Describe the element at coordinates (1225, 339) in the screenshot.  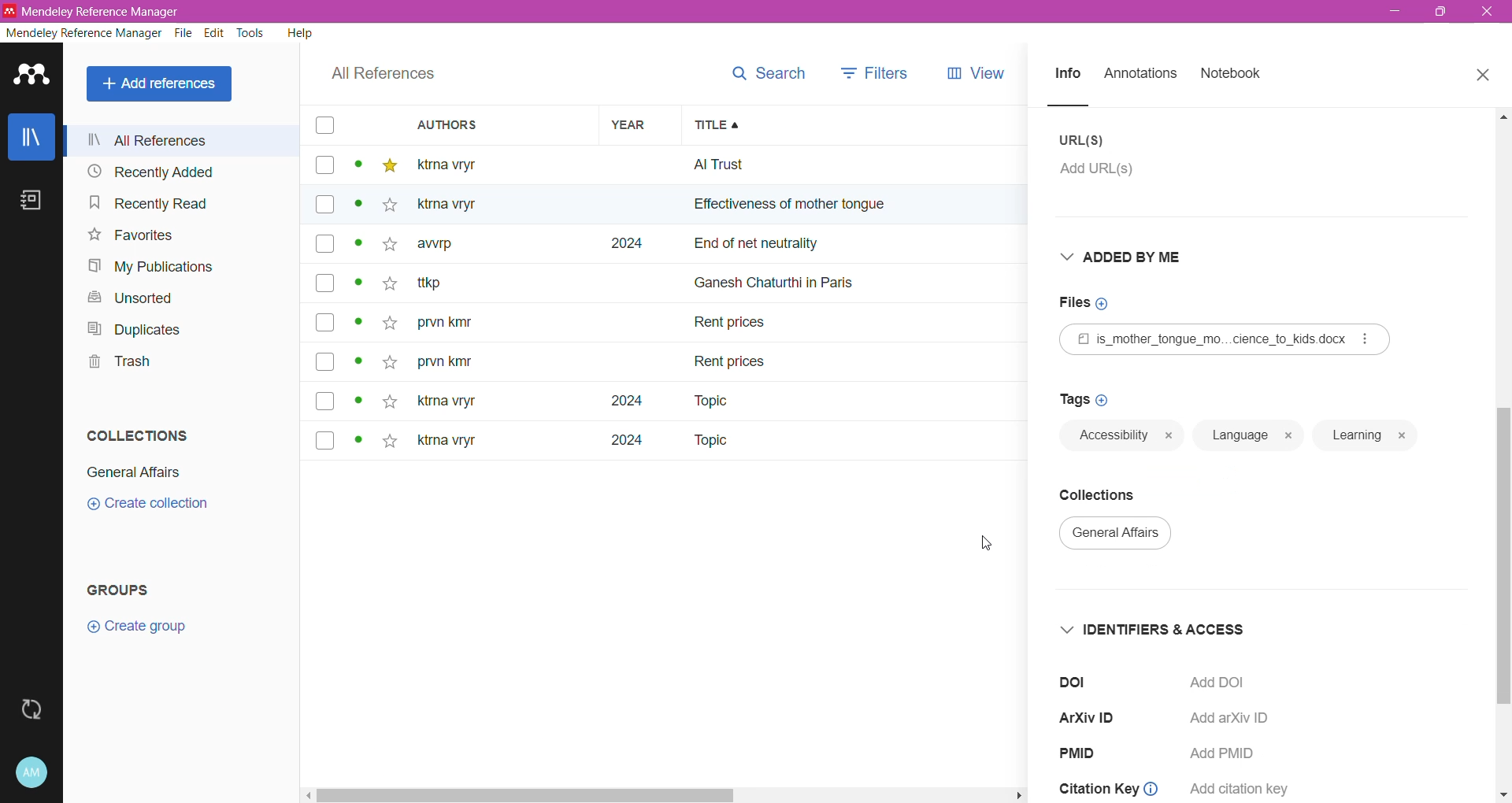
I see `Reference File ` at that location.